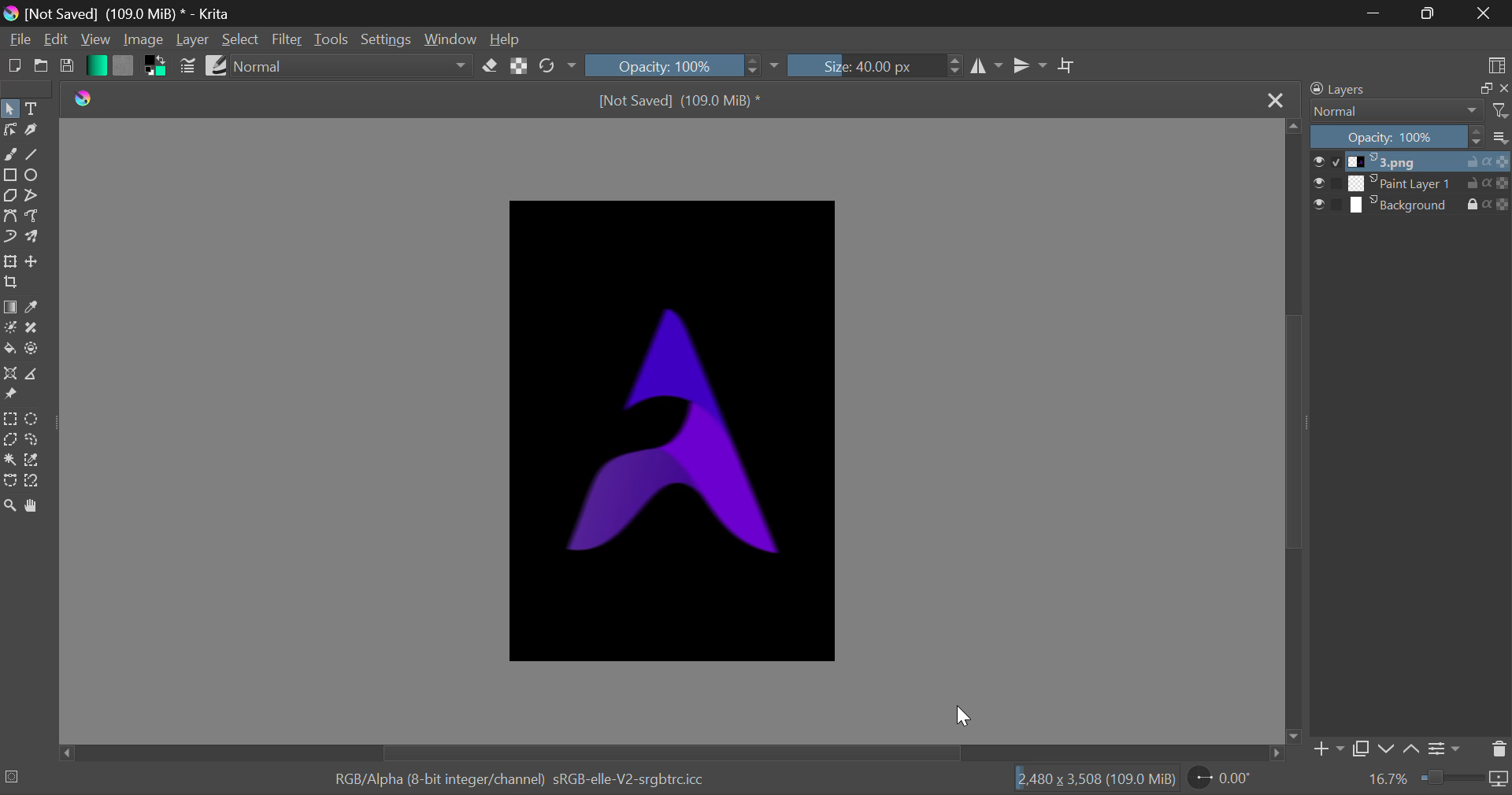 The height and width of the screenshot is (795, 1512). Describe the element at coordinates (87, 100) in the screenshot. I see `Krita Logo` at that location.